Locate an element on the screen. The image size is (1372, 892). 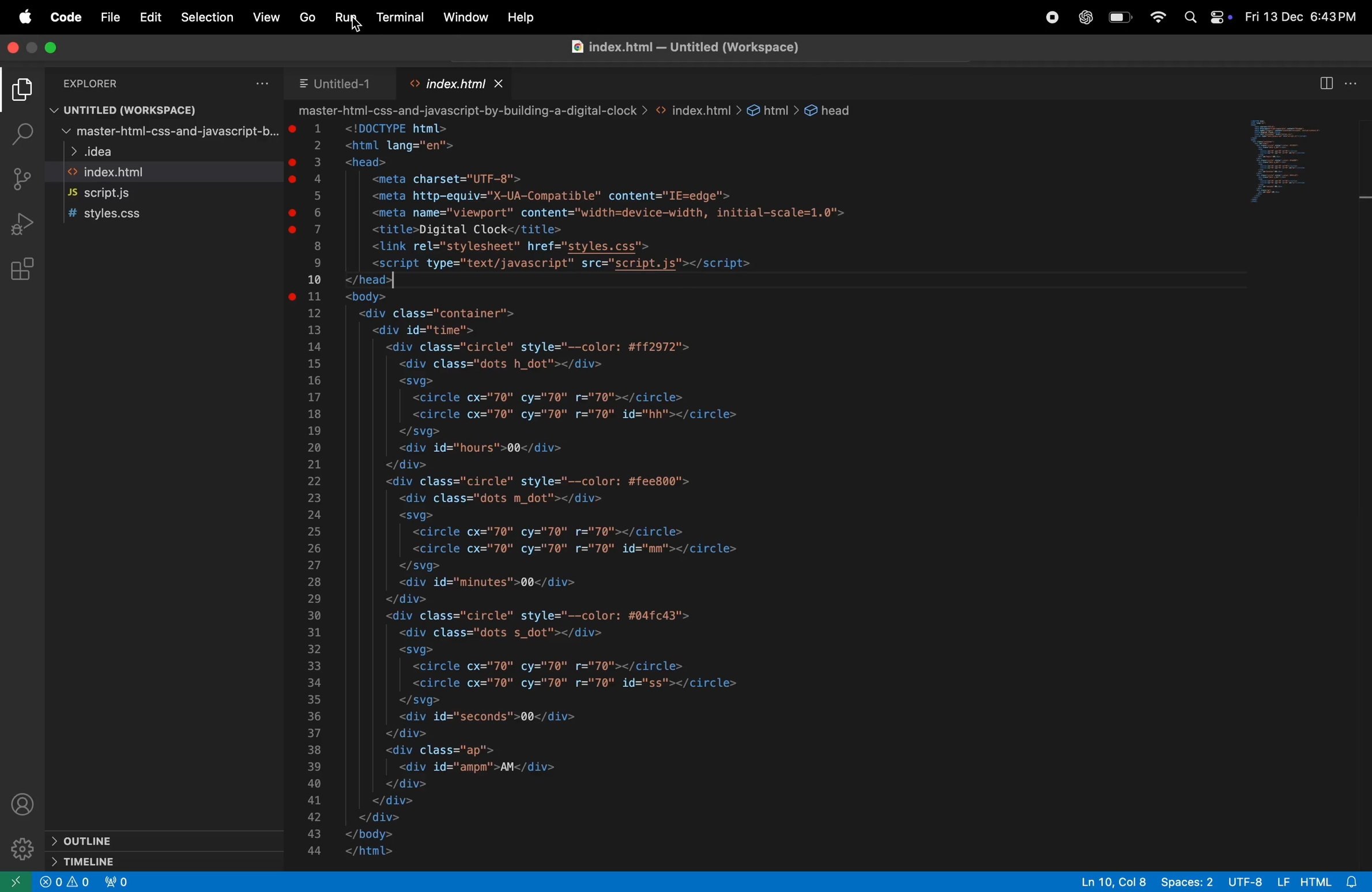
style .css is located at coordinates (116, 216).